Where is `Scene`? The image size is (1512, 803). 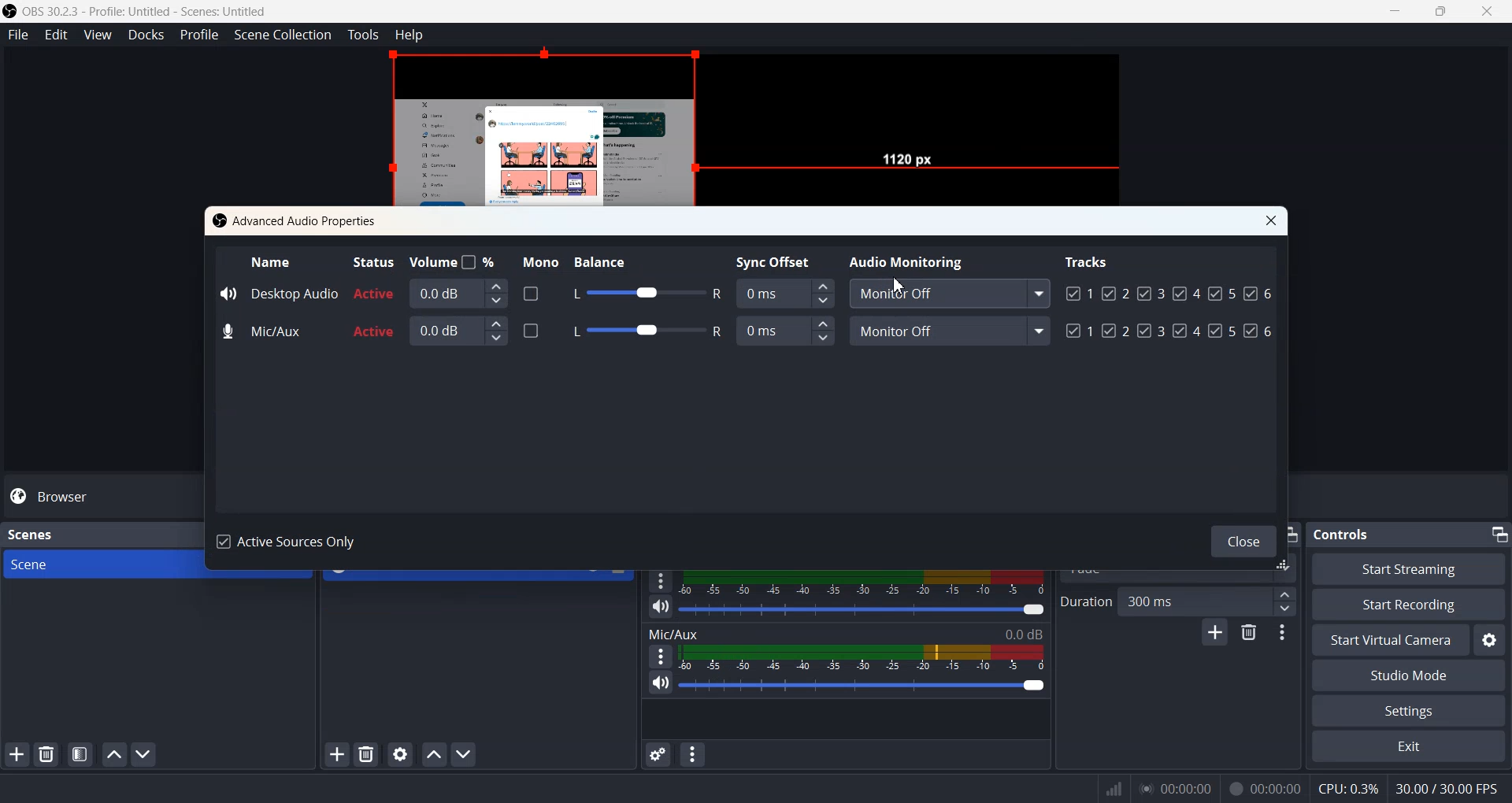 Scene is located at coordinates (98, 564).